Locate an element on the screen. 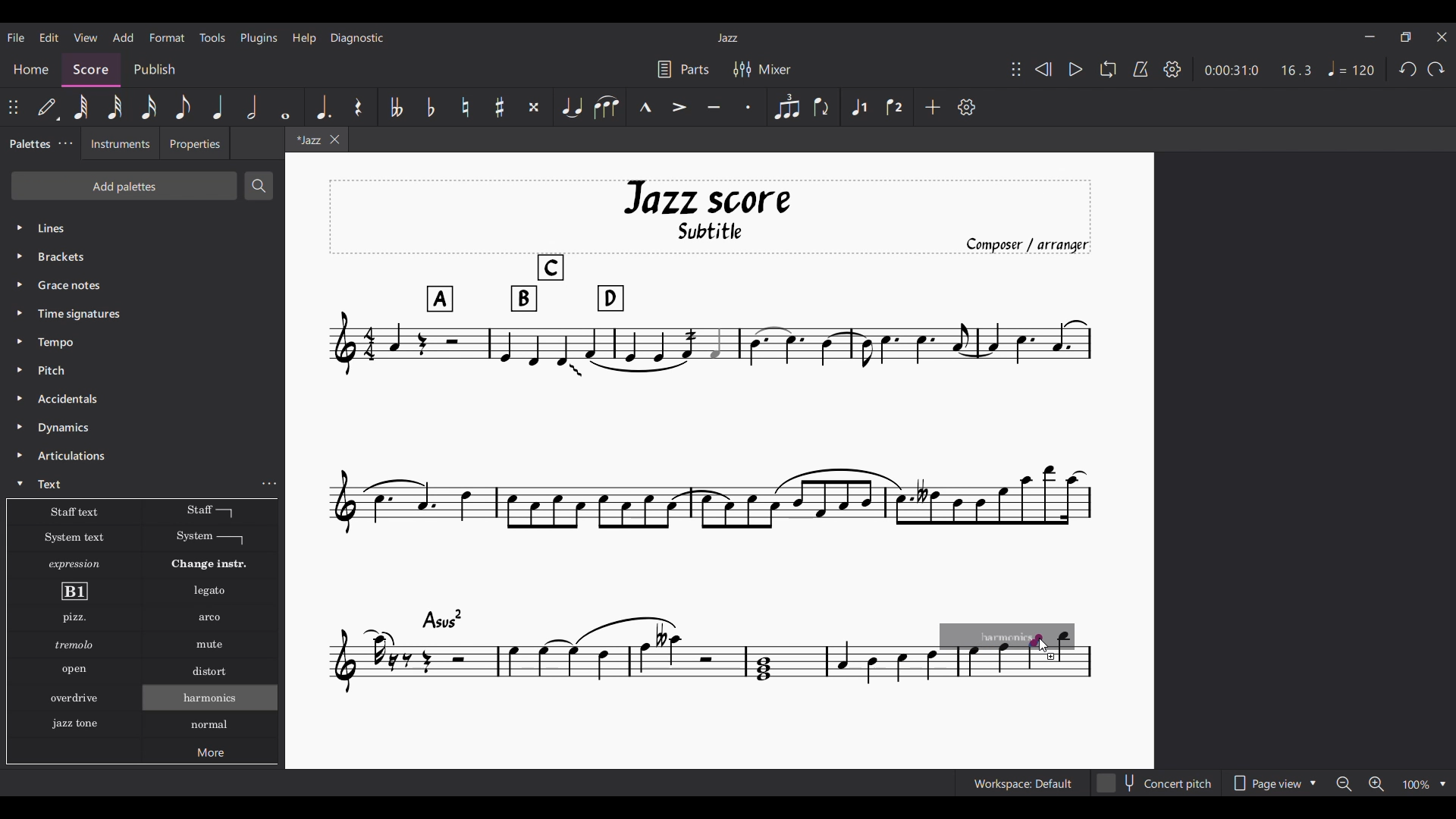 Image resolution: width=1456 pixels, height=819 pixels. Current workspace setting is located at coordinates (1023, 783).